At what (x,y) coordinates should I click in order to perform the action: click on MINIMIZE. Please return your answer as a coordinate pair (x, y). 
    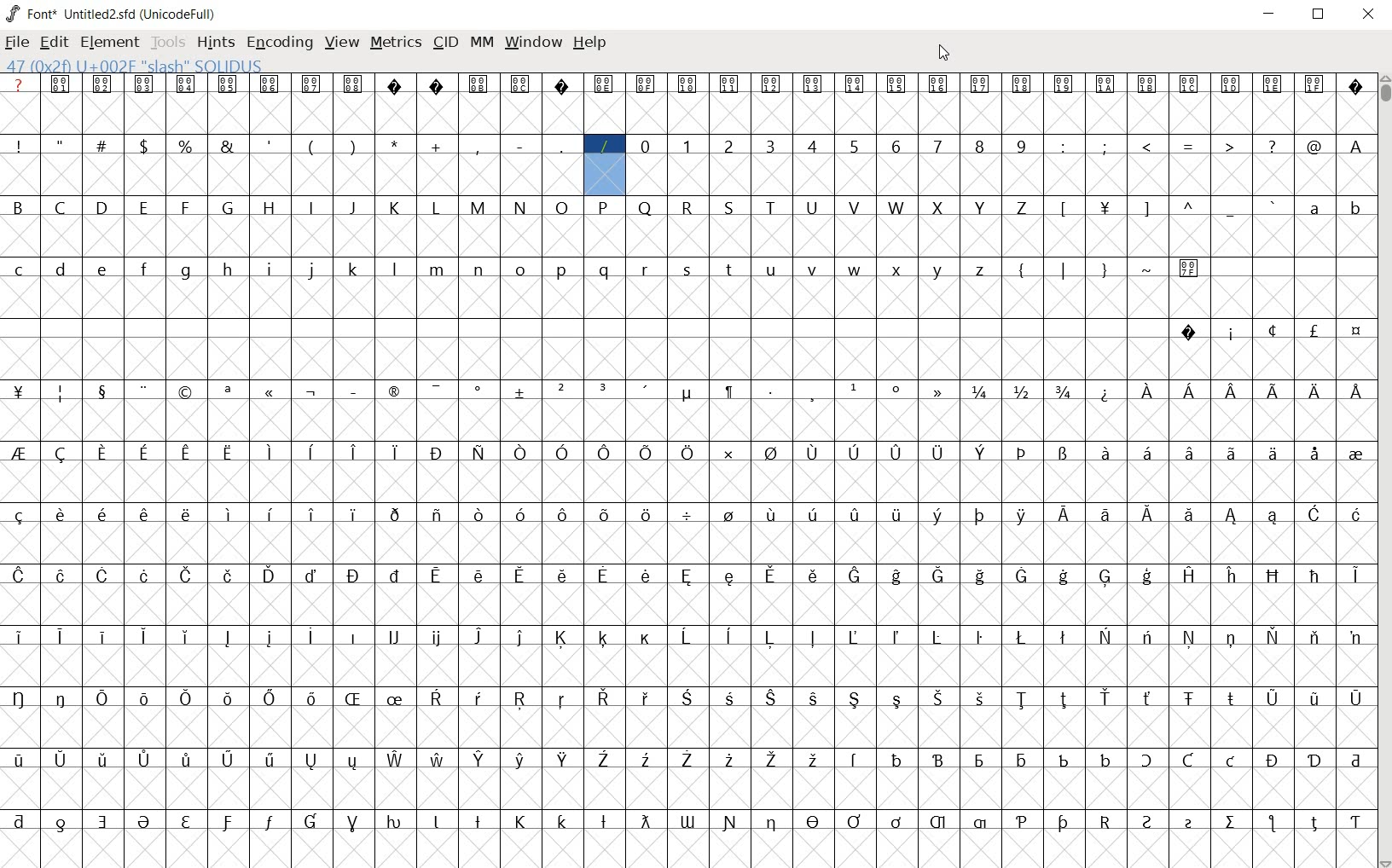
    Looking at the image, I should click on (1271, 13).